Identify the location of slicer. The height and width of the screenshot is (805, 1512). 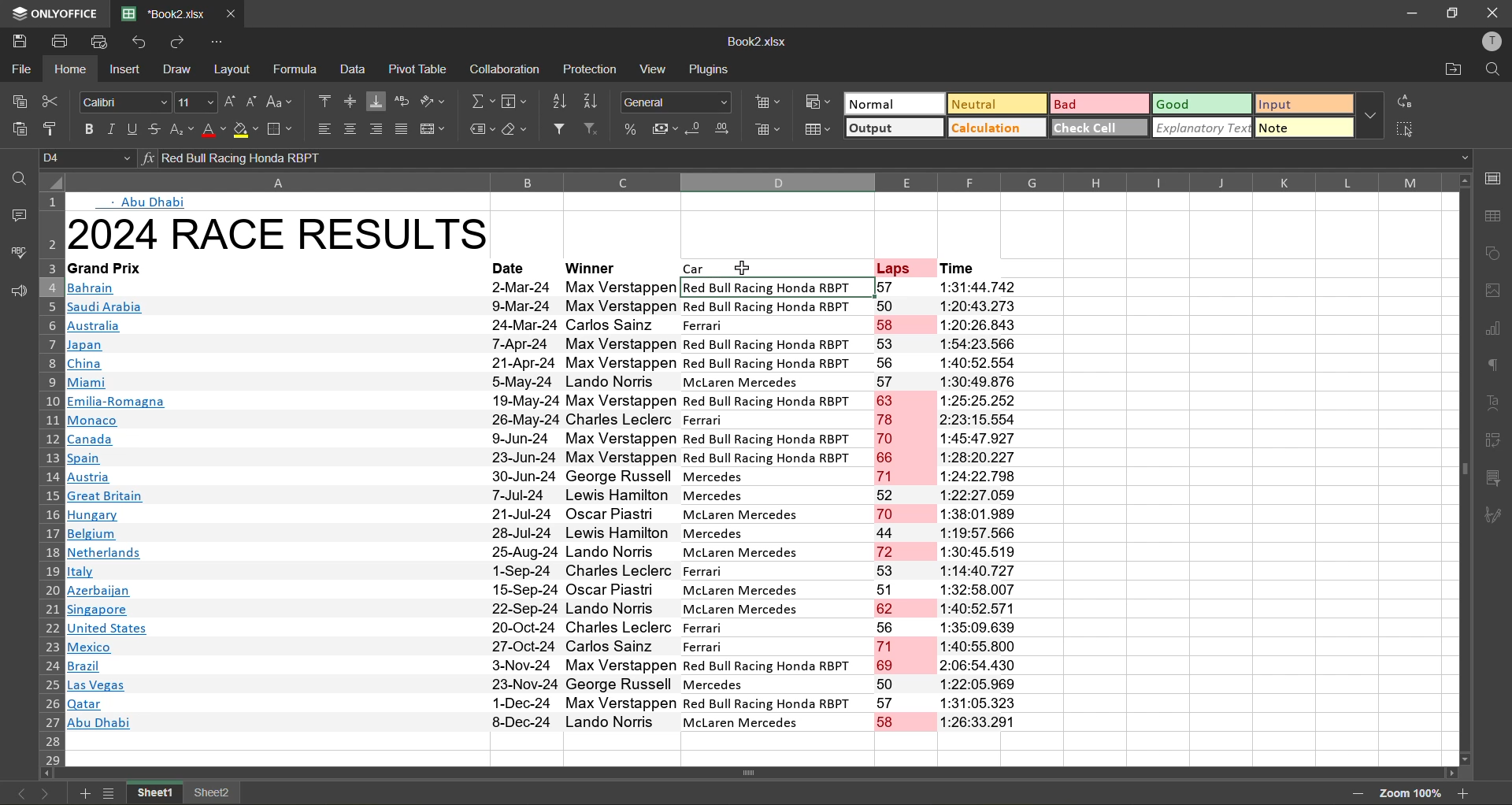
(1493, 477).